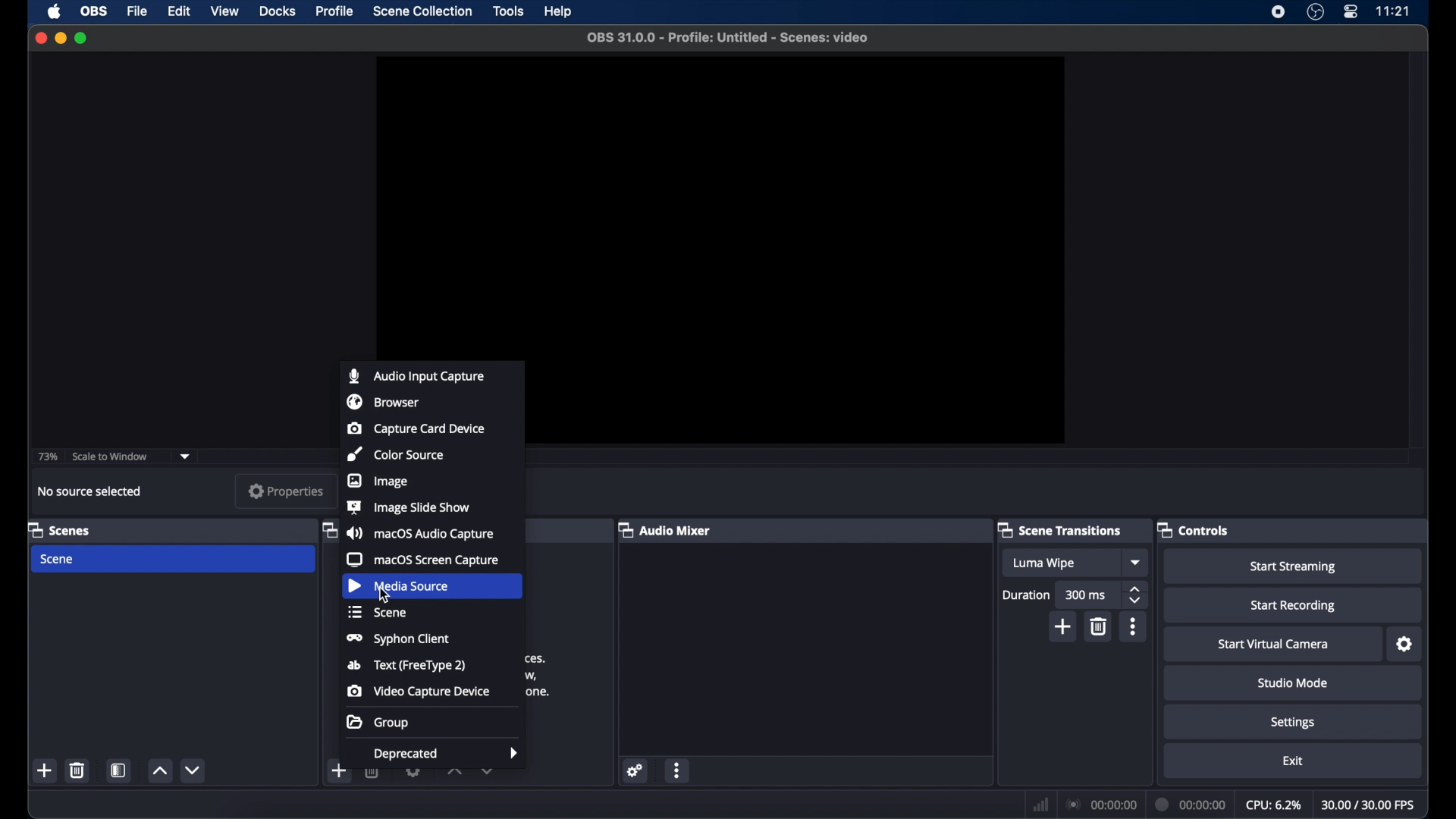 The width and height of the screenshot is (1456, 819). I want to click on connection, so click(1103, 805).